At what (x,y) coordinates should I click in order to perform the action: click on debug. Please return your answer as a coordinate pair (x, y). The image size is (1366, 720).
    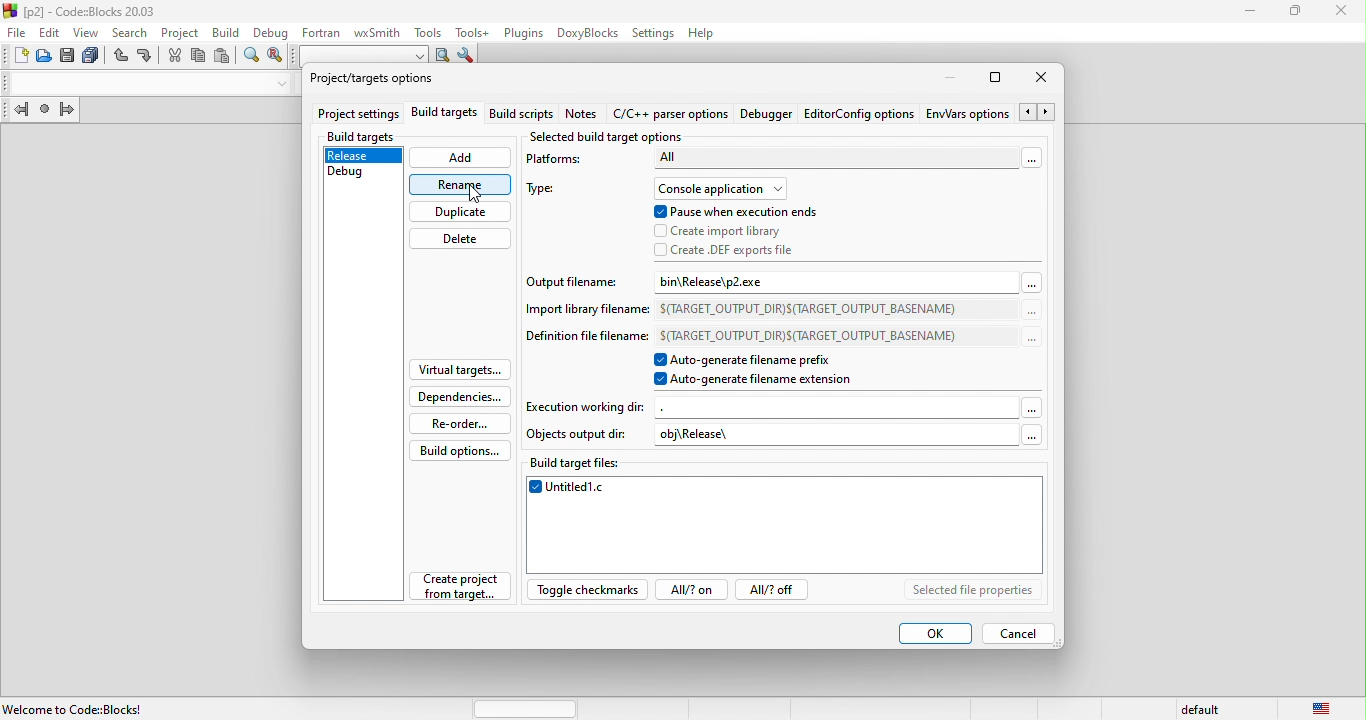
    Looking at the image, I should click on (362, 176).